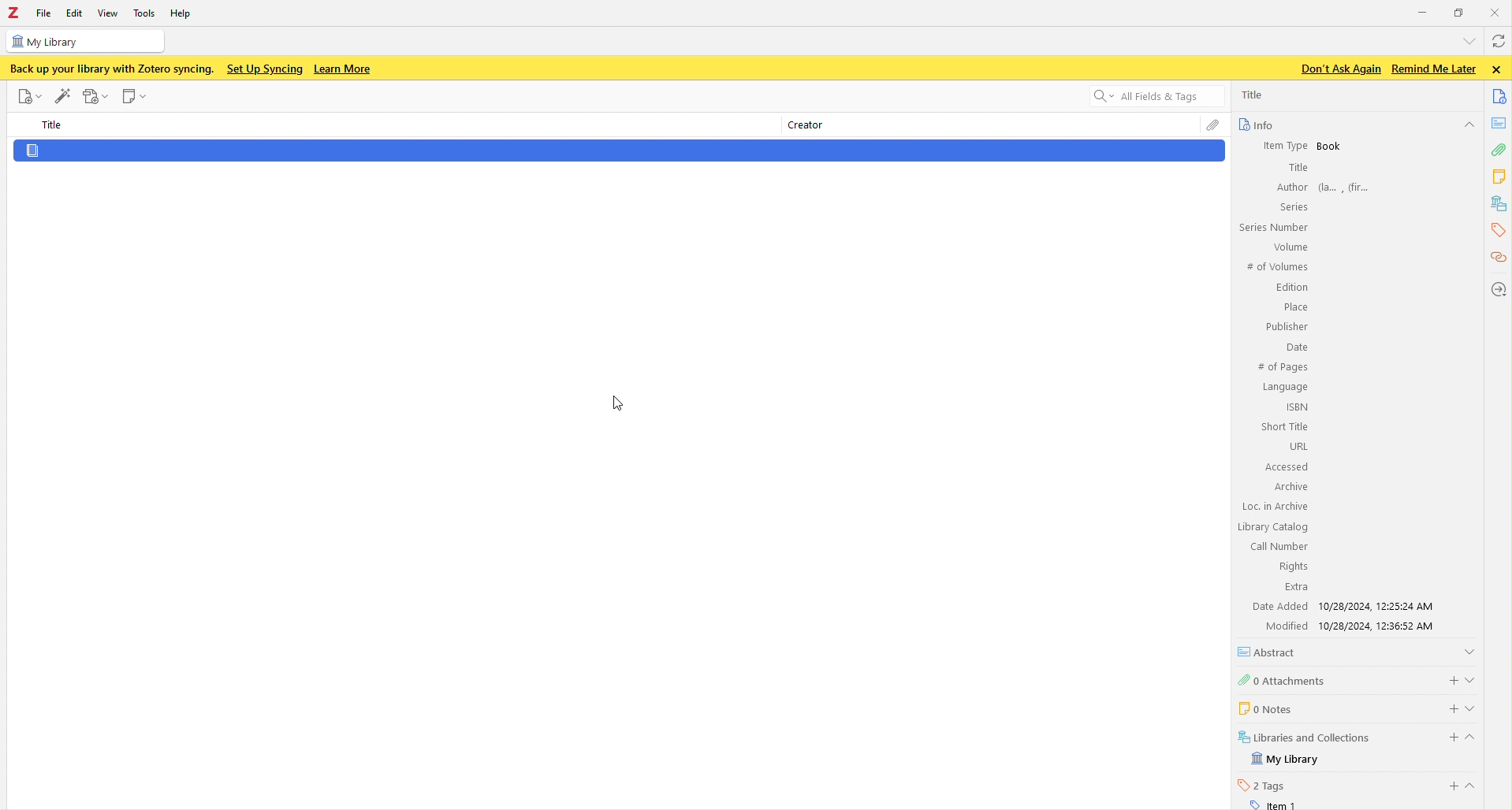 Image resolution: width=1512 pixels, height=810 pixels. Describe the element at coordinates (110, 69) in the screenshot. I see `‘Back up your library with Zotero syncing.` at that location.